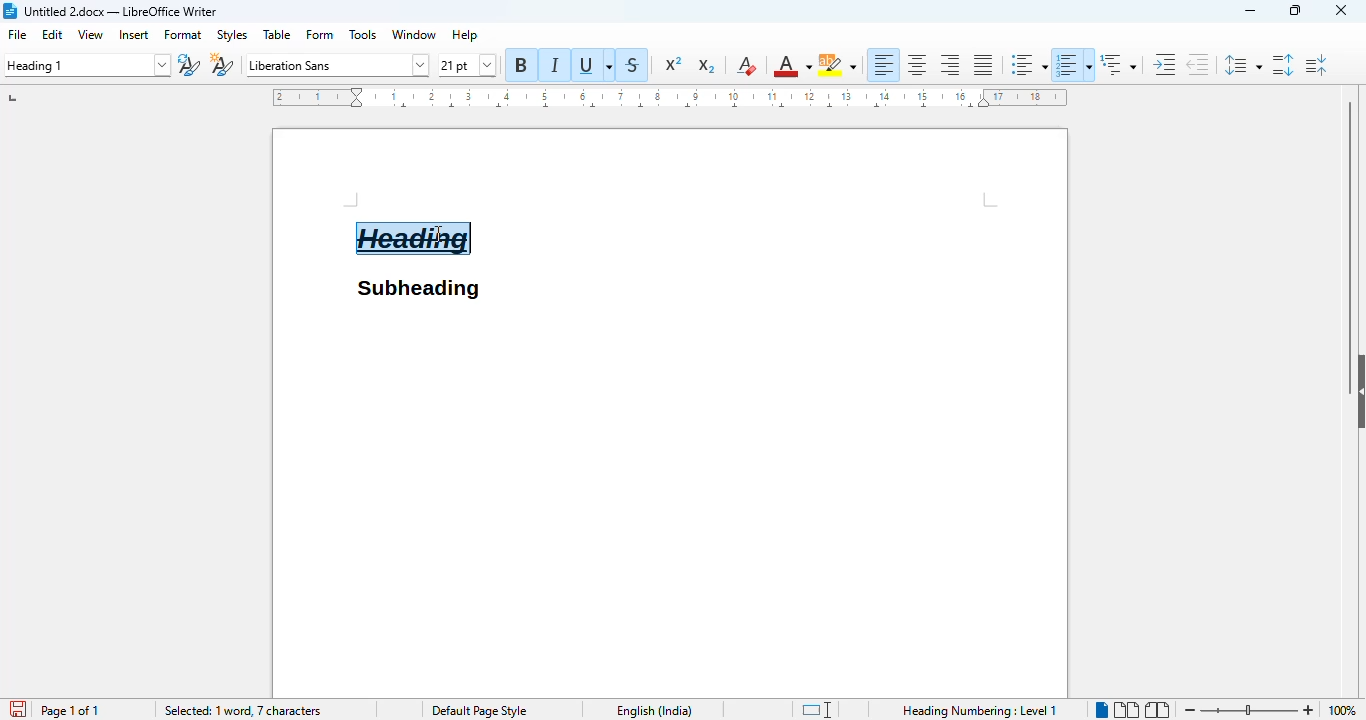 The width and height of the screenshot is (1366, 720). What do you see at coordinates (984, 65) in the screenshot?
I see `justified` at bounding box center [984, 65].